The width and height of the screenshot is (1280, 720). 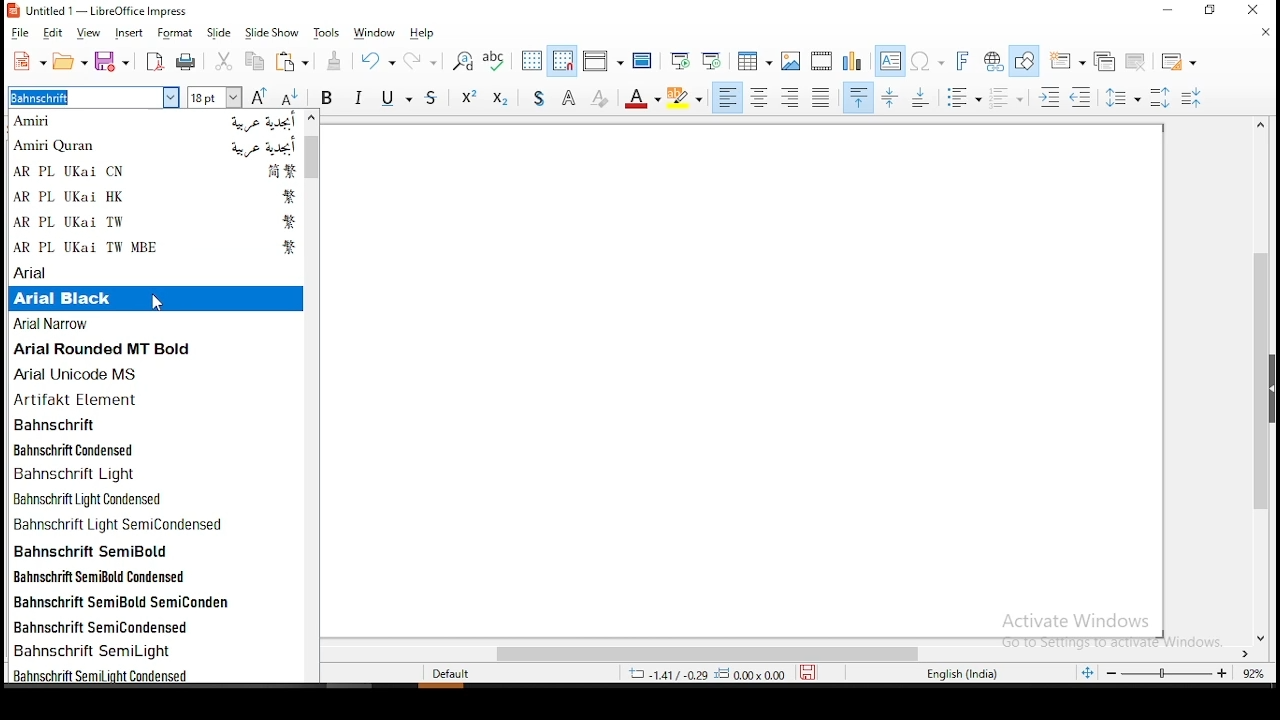 What do you see at coordinates (683, 61) in the screenshot?
I see `start from first slide` at bounding box center [683, 61].